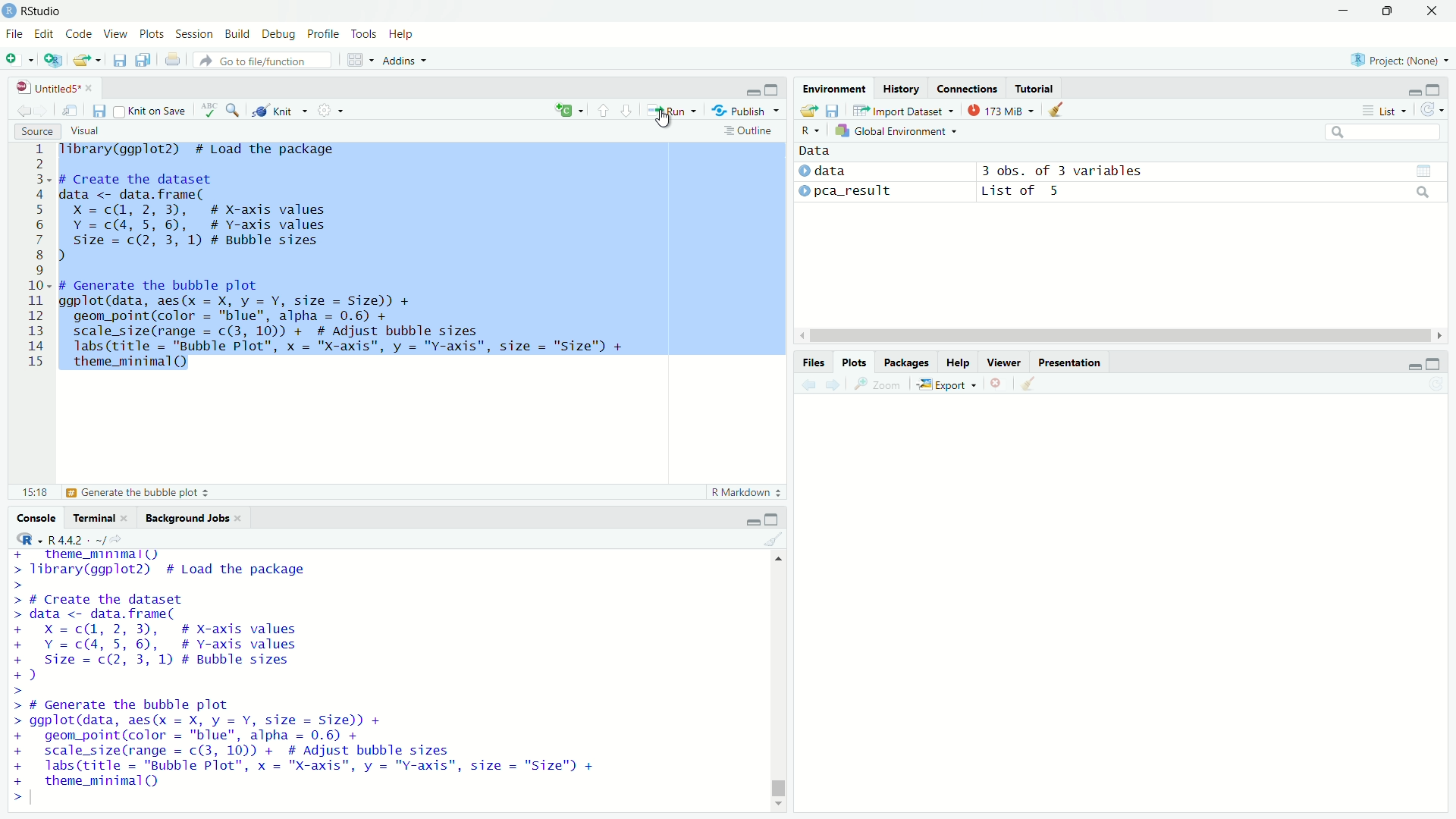 The image size is (1456, 819). Describe the element at coordinates (1436, 88) in the screenshot. I see `maximize` at that location.